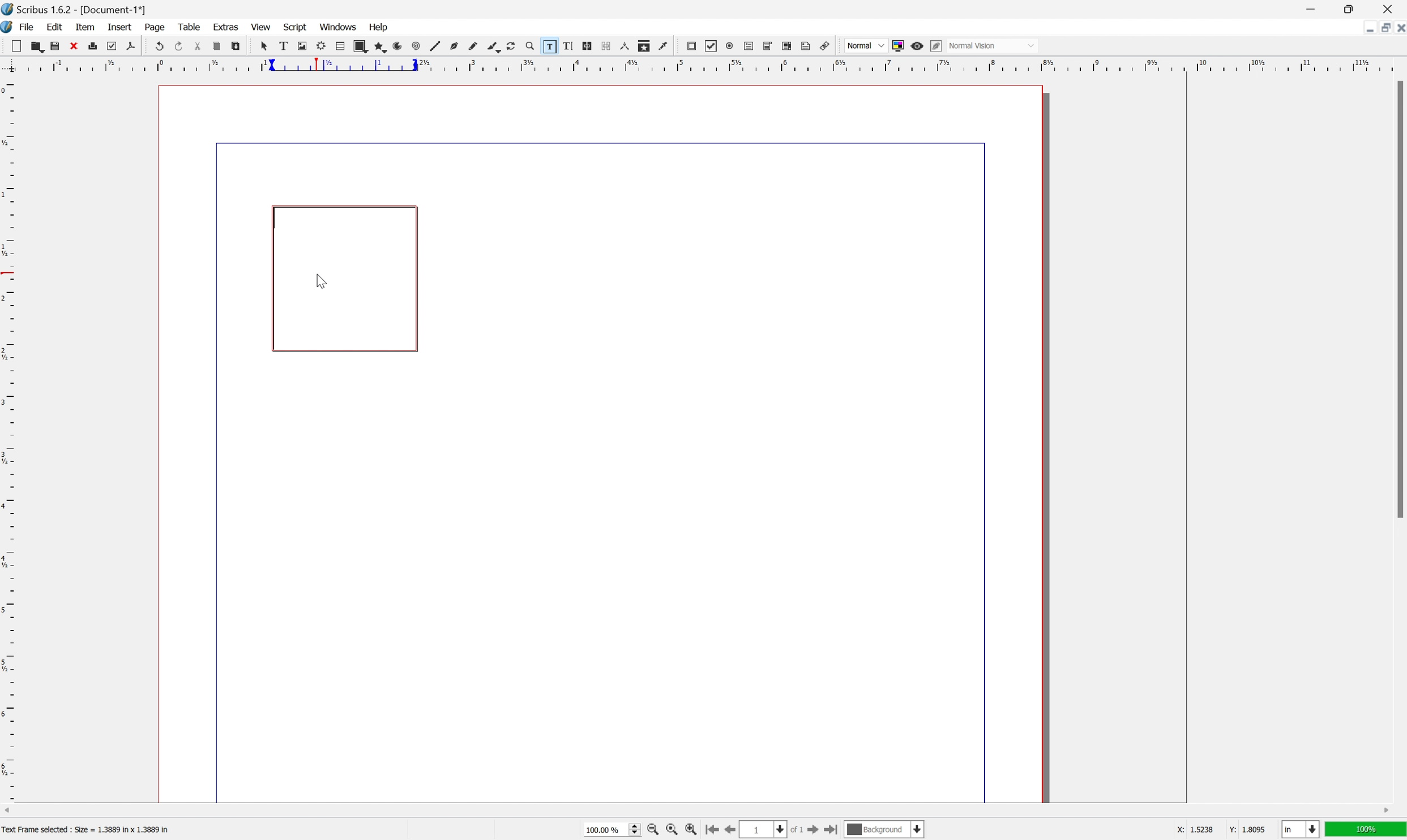 The width and height of the screenshot is (1407, 840). Describe the element at coordinates (261, 28) in the screenshot. I see `view` at that location.